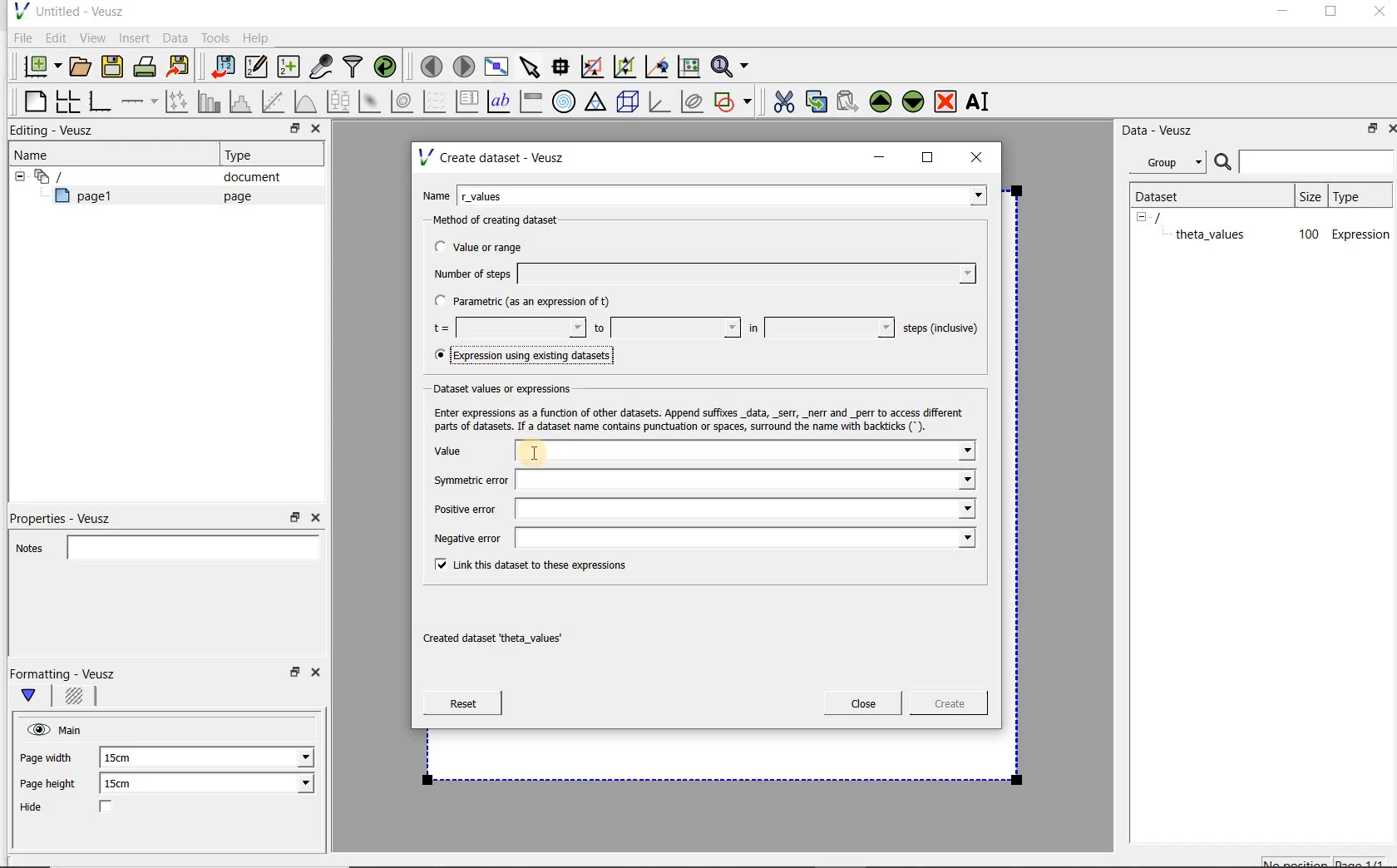 The width and height of the screenshot is (1397, 868). Describe the element at coordinates (468, 101) in the screenshot. I see `plot key` at that location.